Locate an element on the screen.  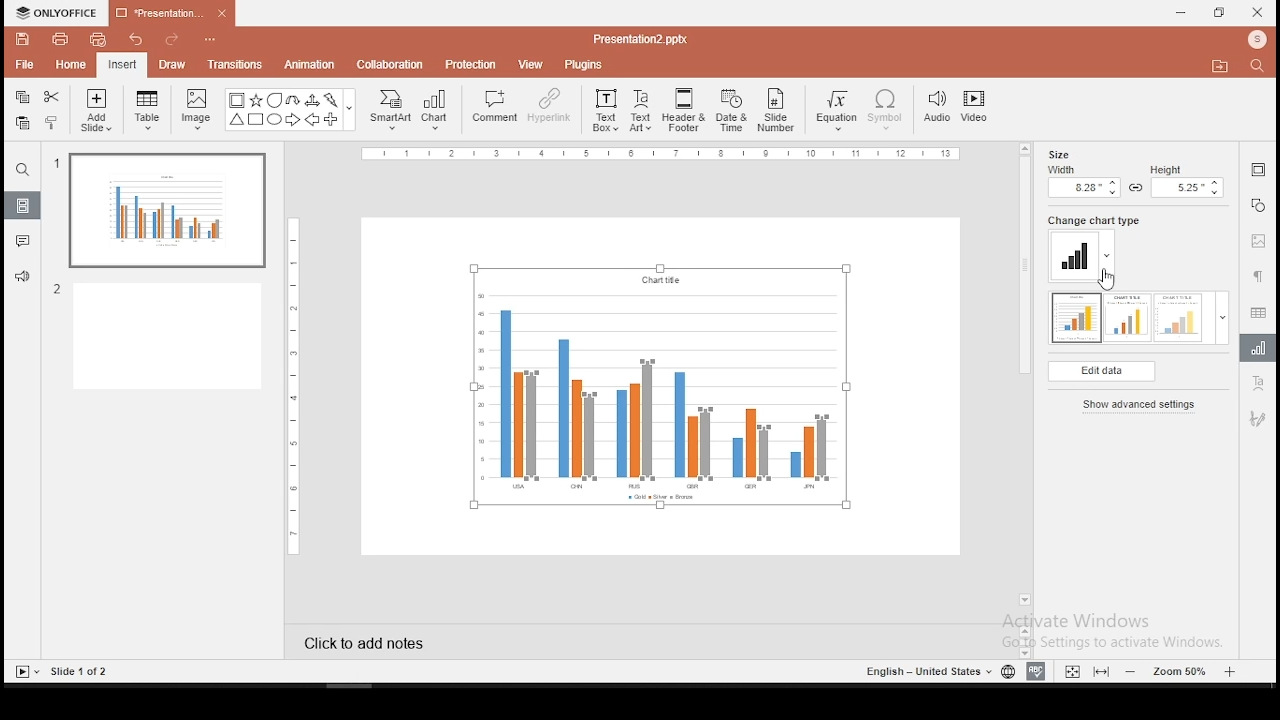
slide 2 is located at coordinates (162, 337).